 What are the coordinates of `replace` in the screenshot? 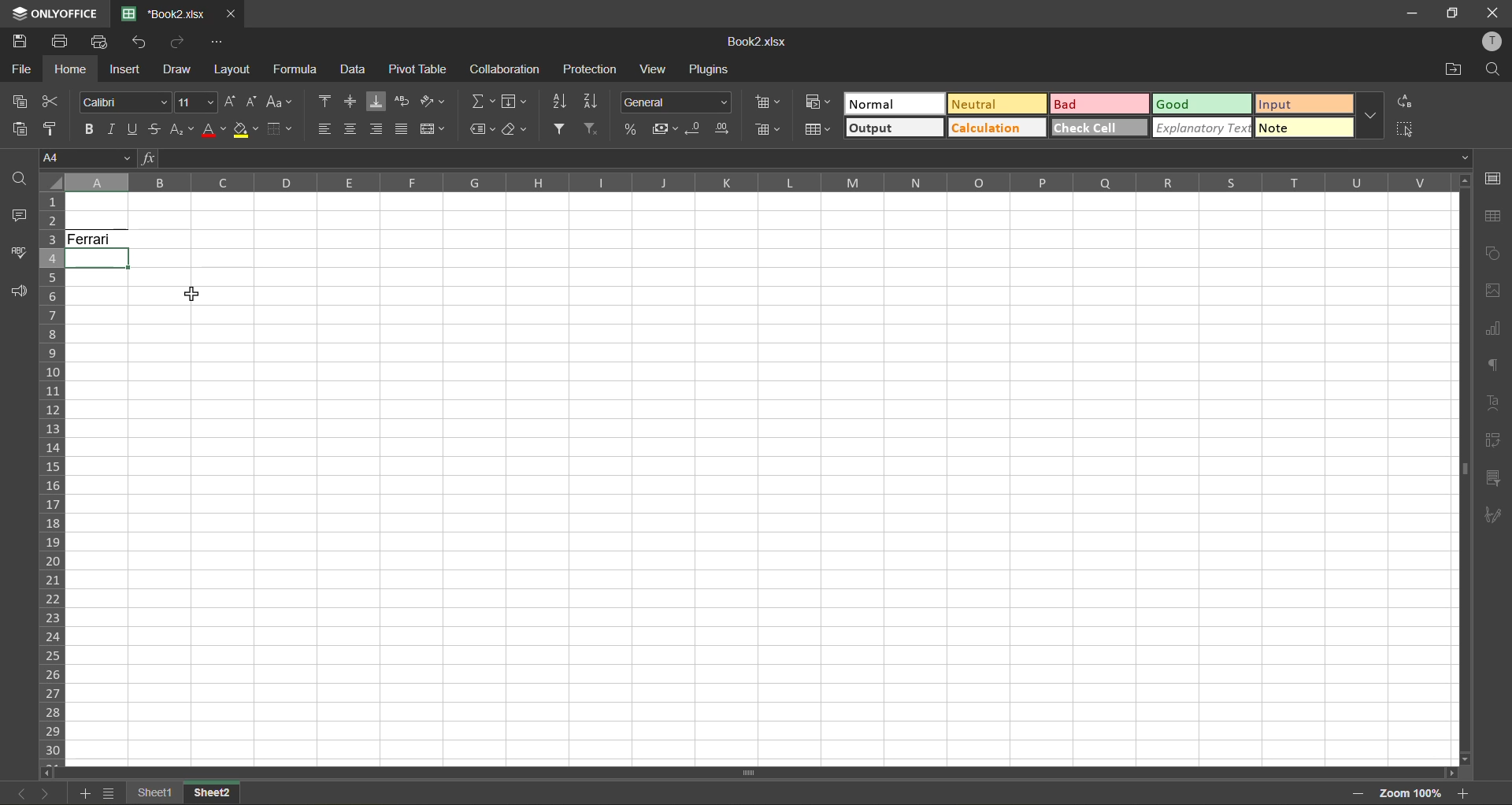 It's located at (1405, 103).